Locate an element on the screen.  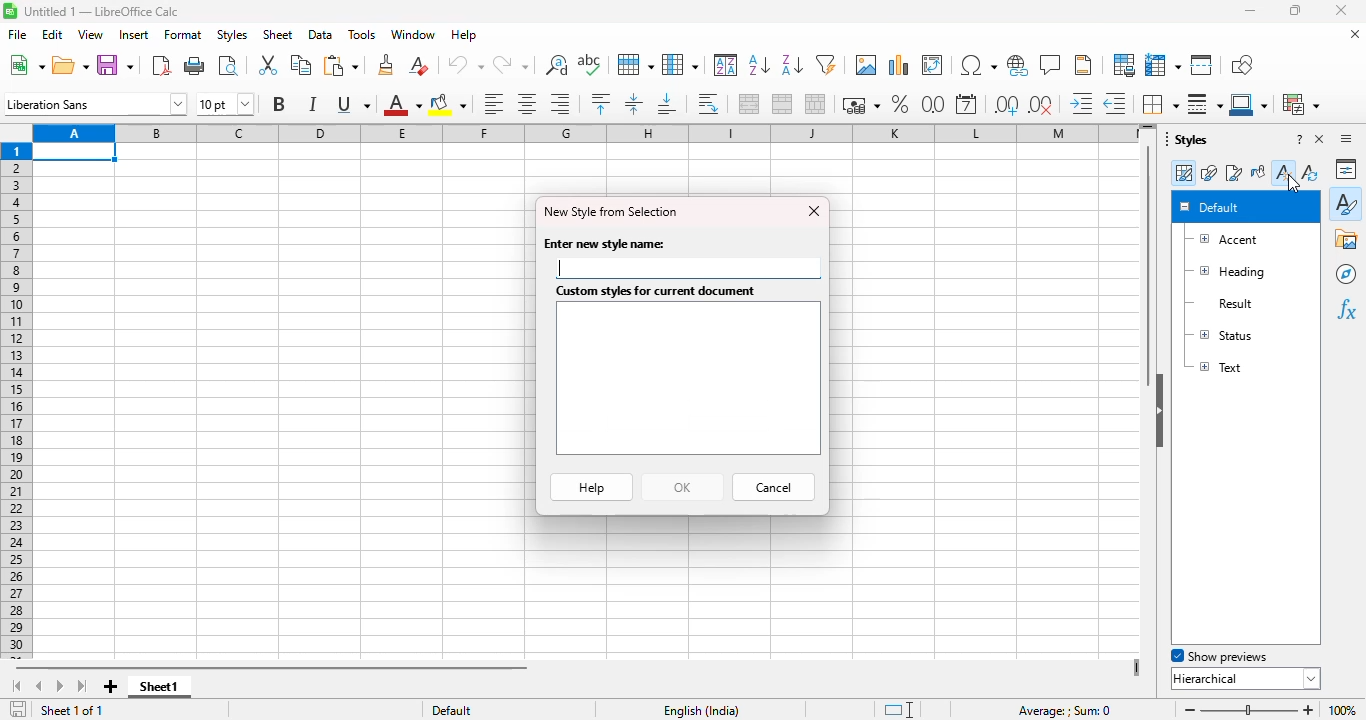
logo is located at coordinates (10, 11).